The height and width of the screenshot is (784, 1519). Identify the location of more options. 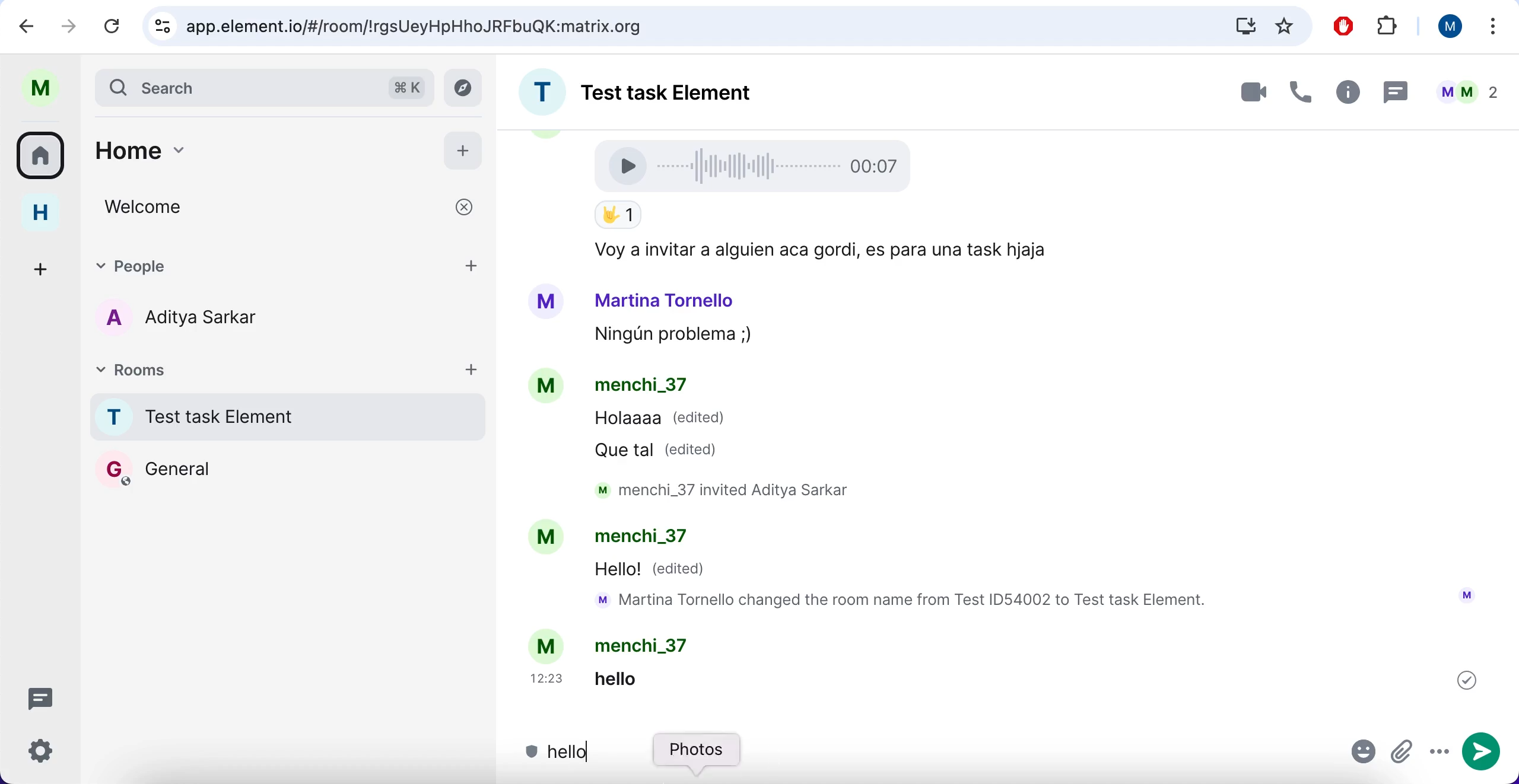
(1494, 29).